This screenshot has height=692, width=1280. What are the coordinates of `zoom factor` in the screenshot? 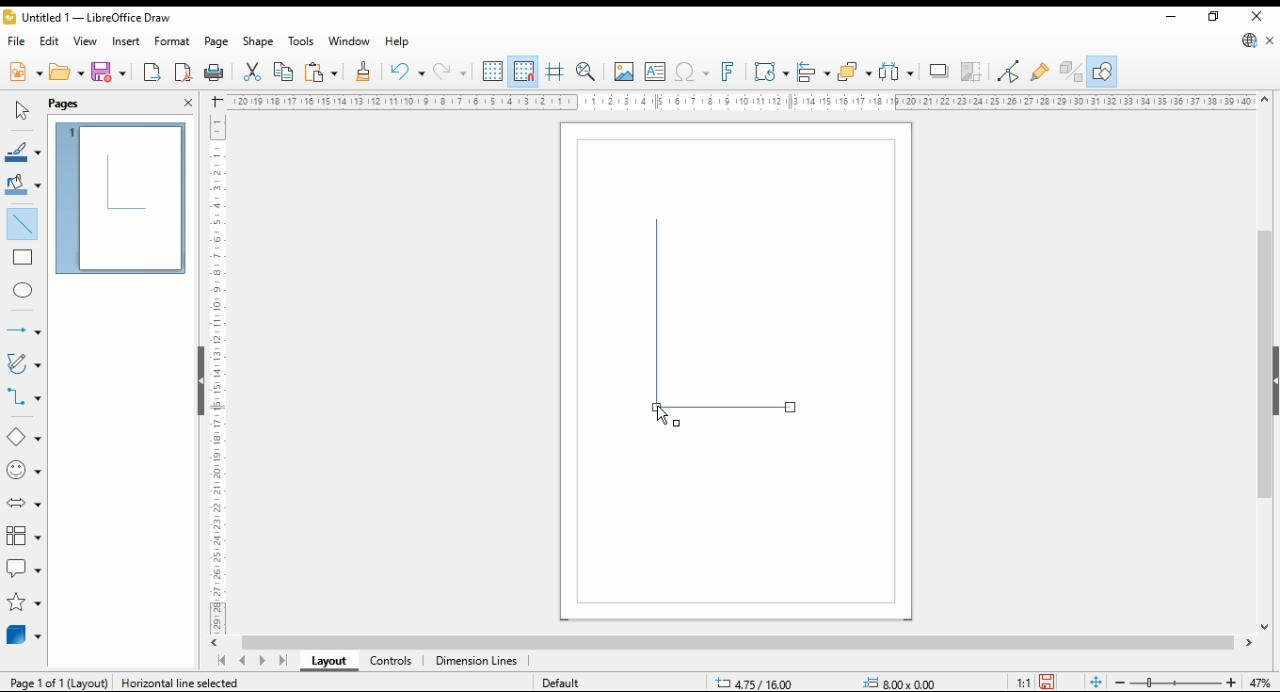 It's located at (1262, 683).